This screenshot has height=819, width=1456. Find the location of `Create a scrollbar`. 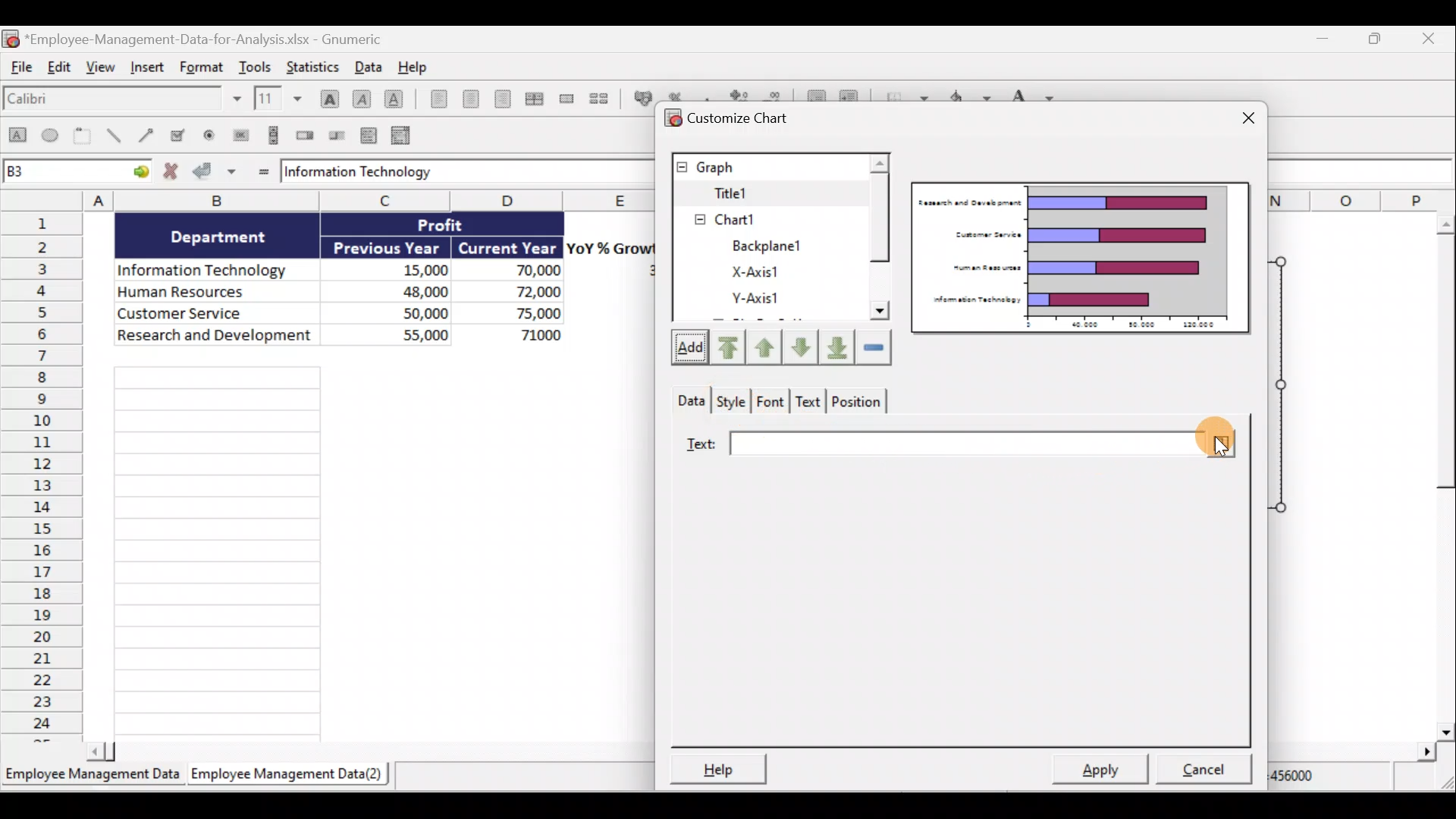

Create a scrollbar is located at coordinates (271, 135).